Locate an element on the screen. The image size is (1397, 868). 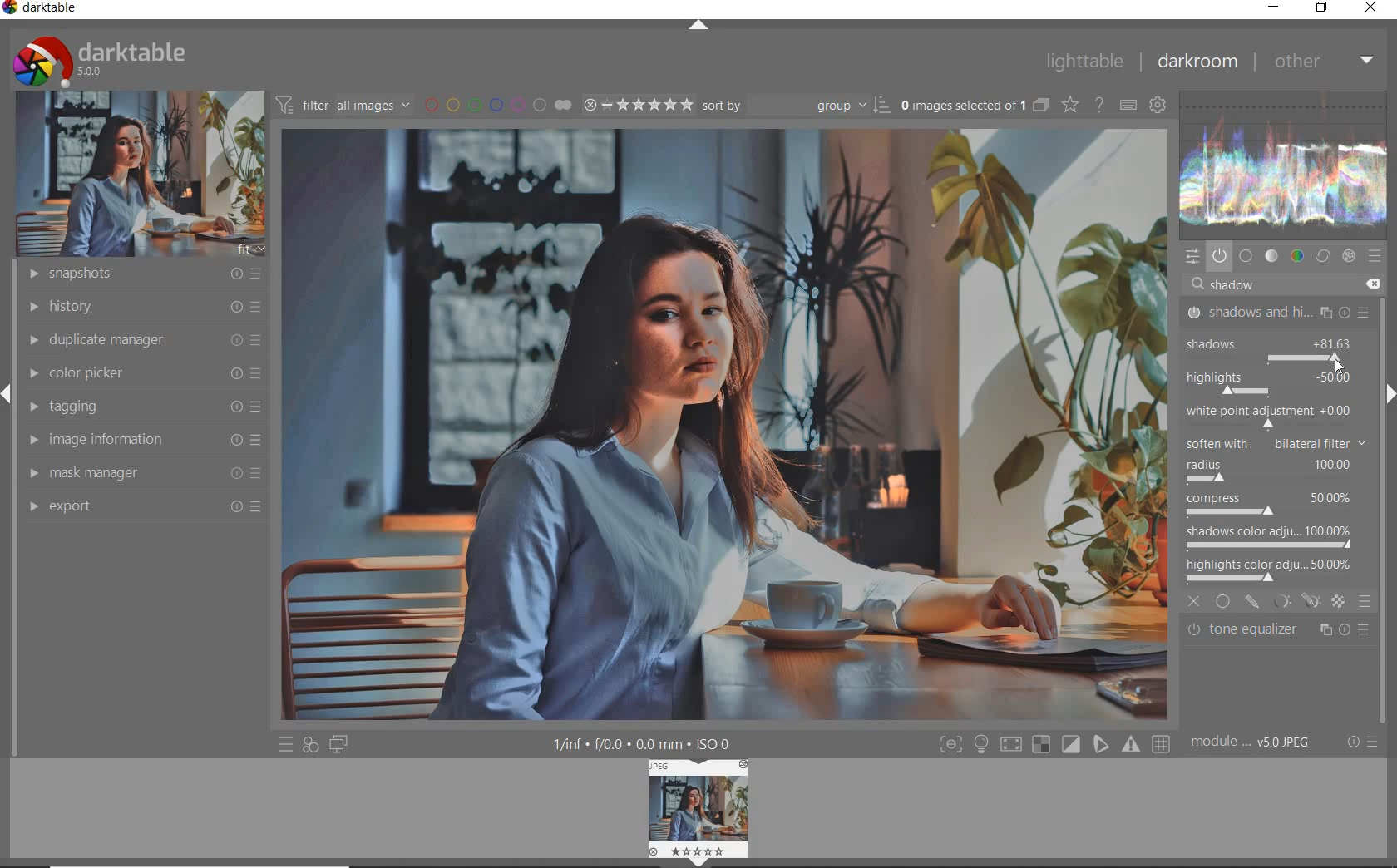
tone is located at coordinates (1271, 255).